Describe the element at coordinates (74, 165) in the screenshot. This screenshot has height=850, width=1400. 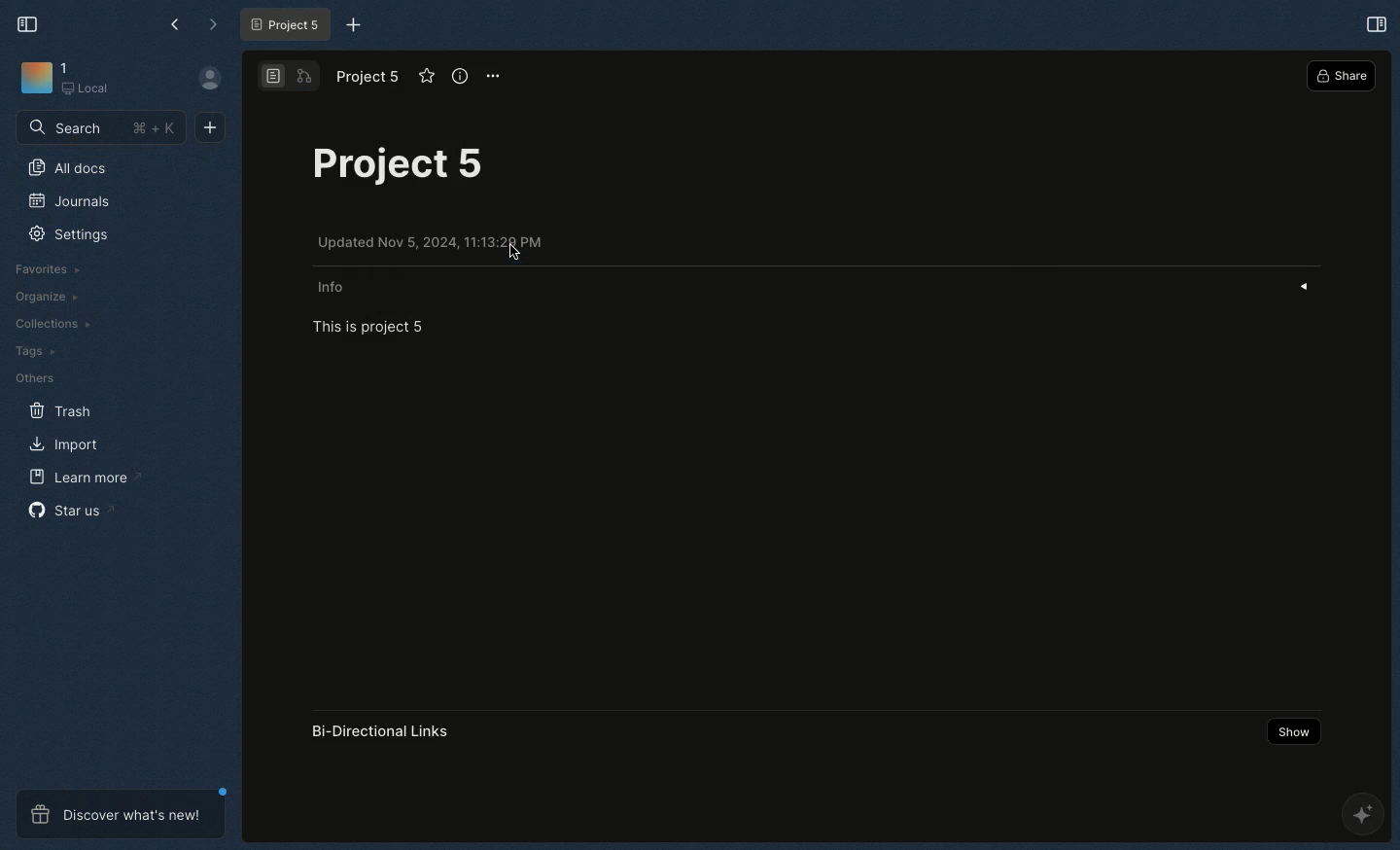
I see `All docs` at that location.